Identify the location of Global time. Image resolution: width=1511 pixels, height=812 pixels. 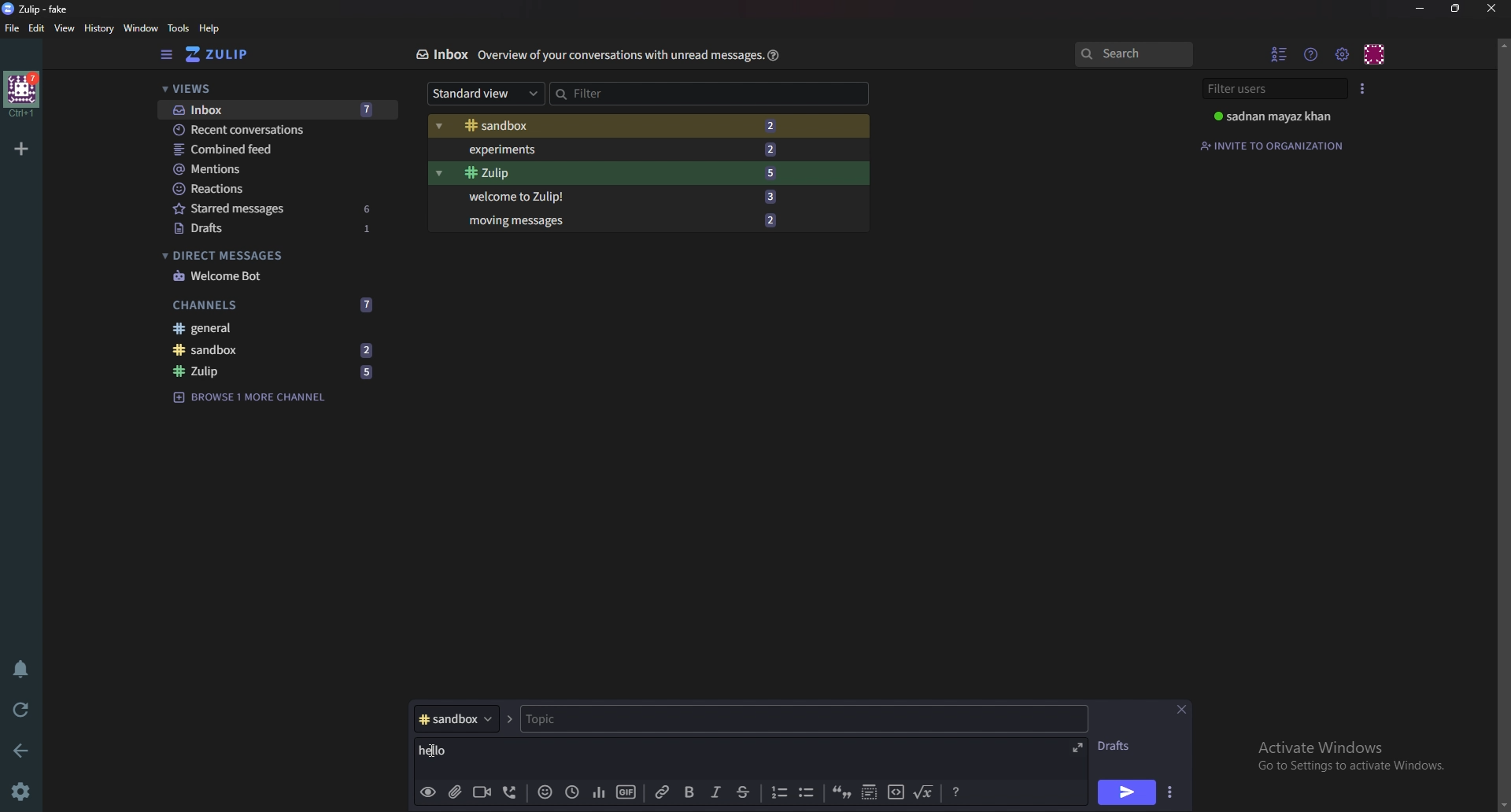
(572, 791).